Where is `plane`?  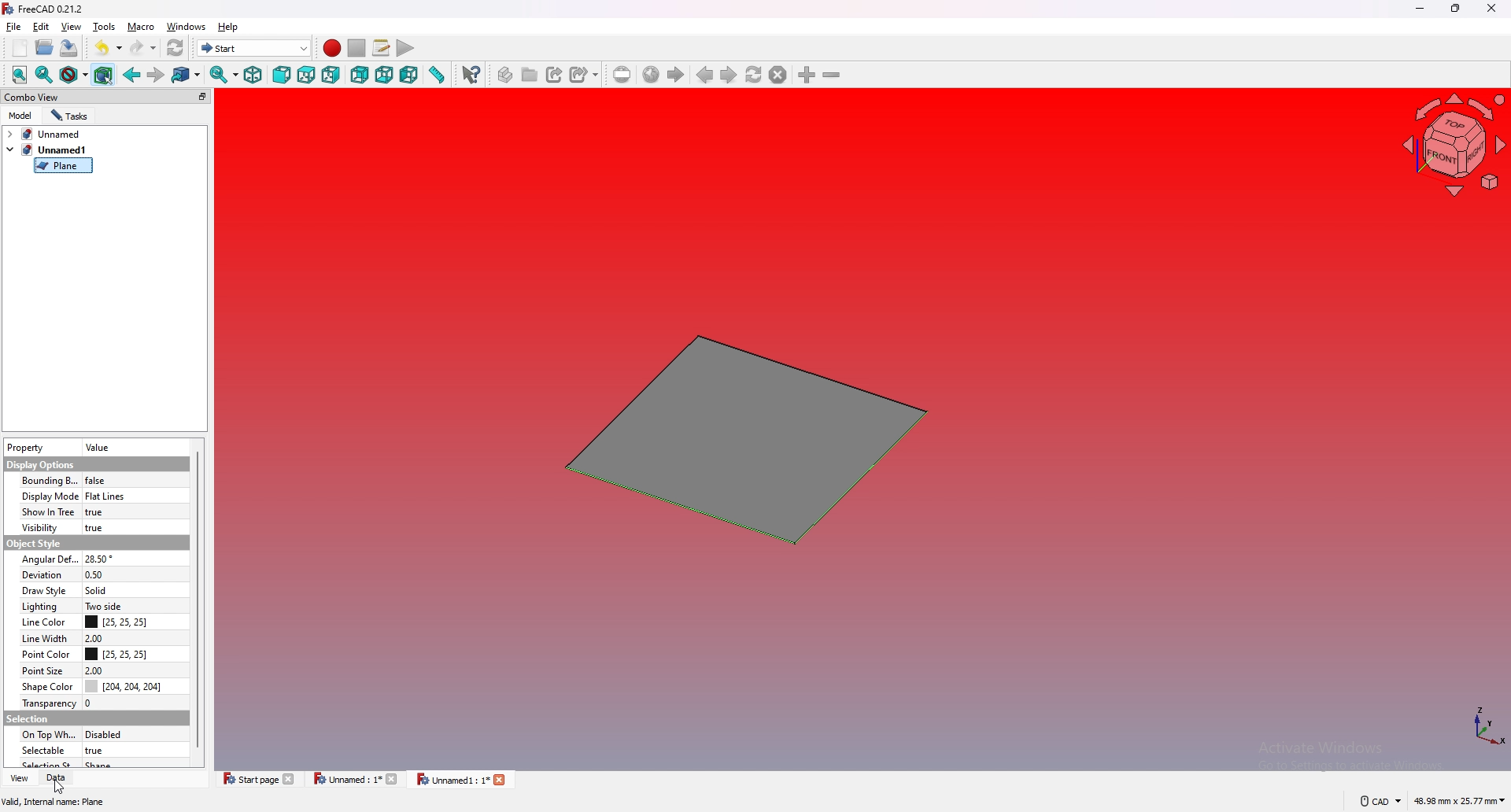
plane is located at coordinates (740, 440).